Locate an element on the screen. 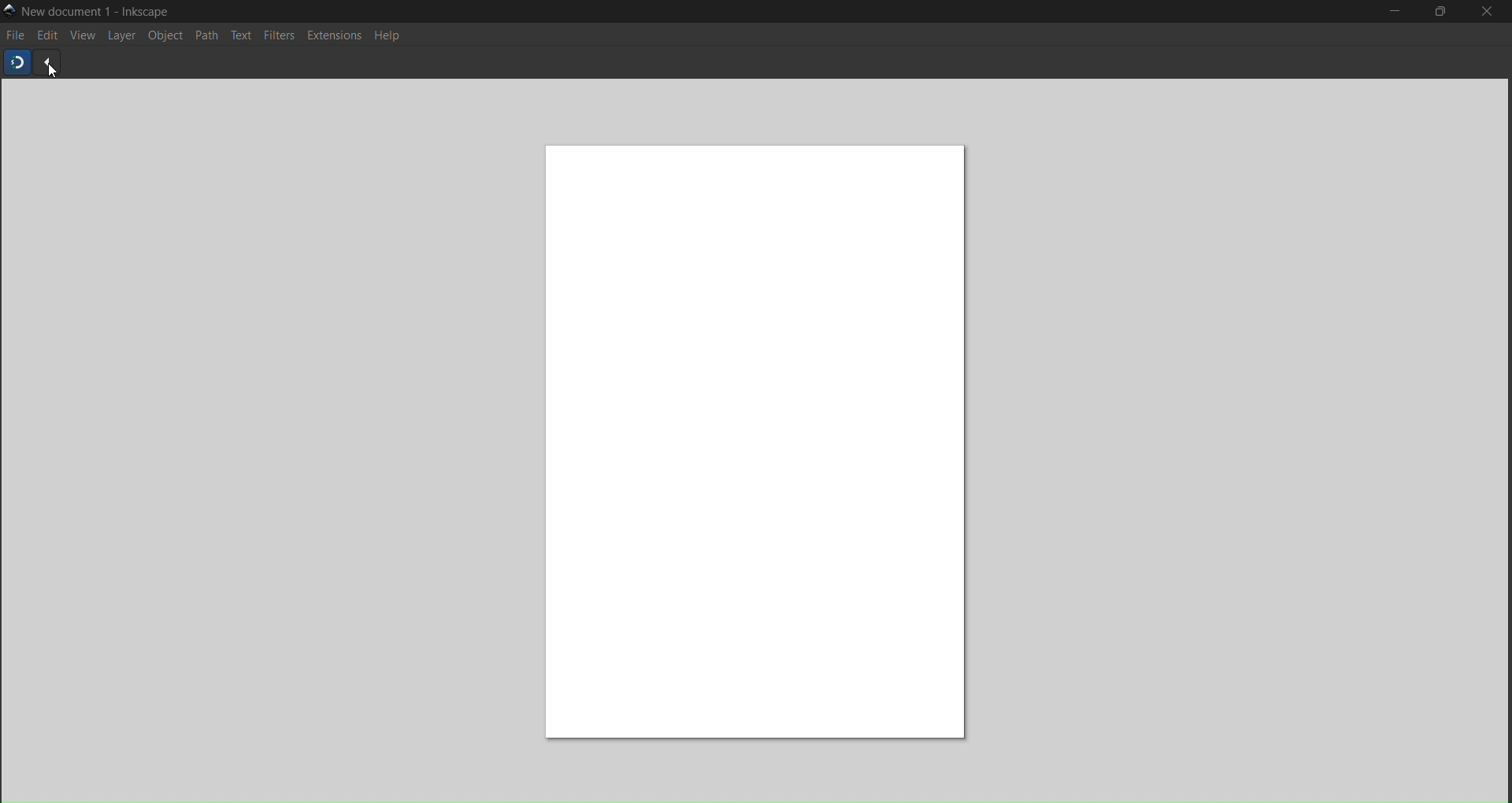 This screenshot has width=1512, height=803. Snapping is located at coordinates (17, 61).